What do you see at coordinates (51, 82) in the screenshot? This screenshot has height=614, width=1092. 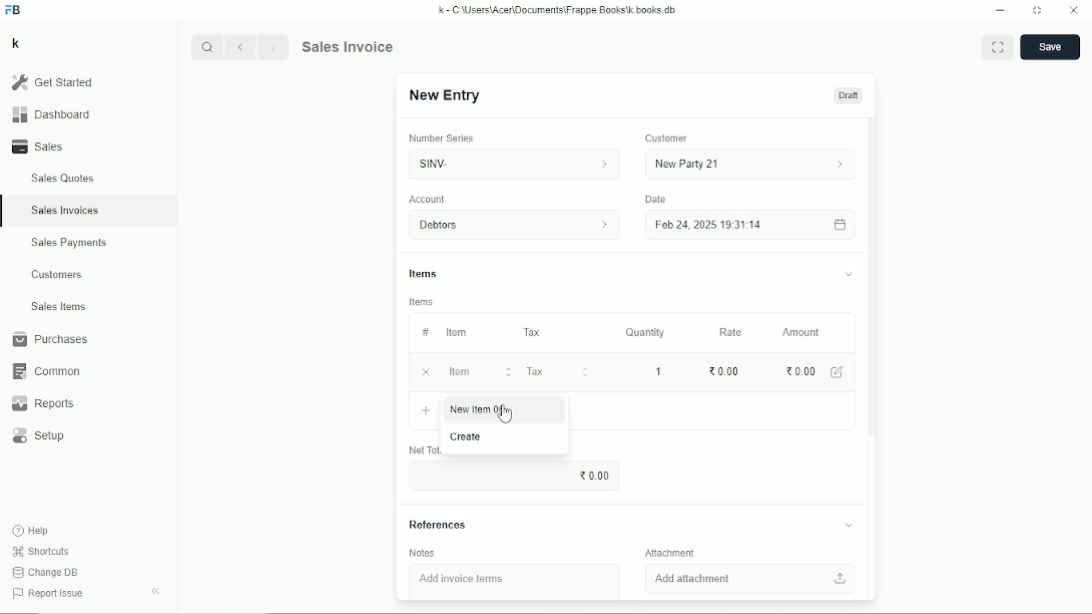 I see `Get started` at bounding box center [51, 82].